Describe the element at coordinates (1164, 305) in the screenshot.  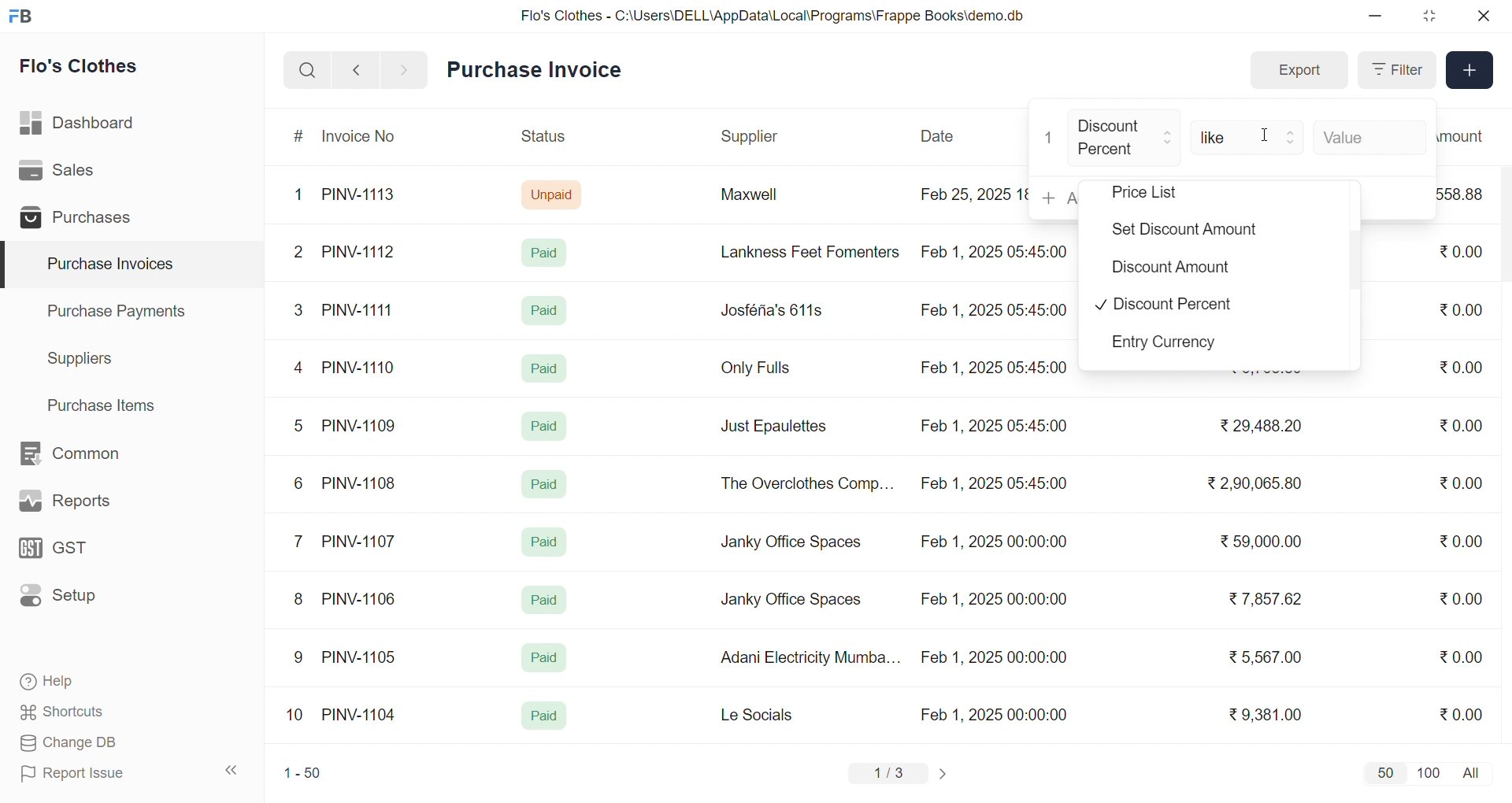
I see `Discount Percent` at that location.